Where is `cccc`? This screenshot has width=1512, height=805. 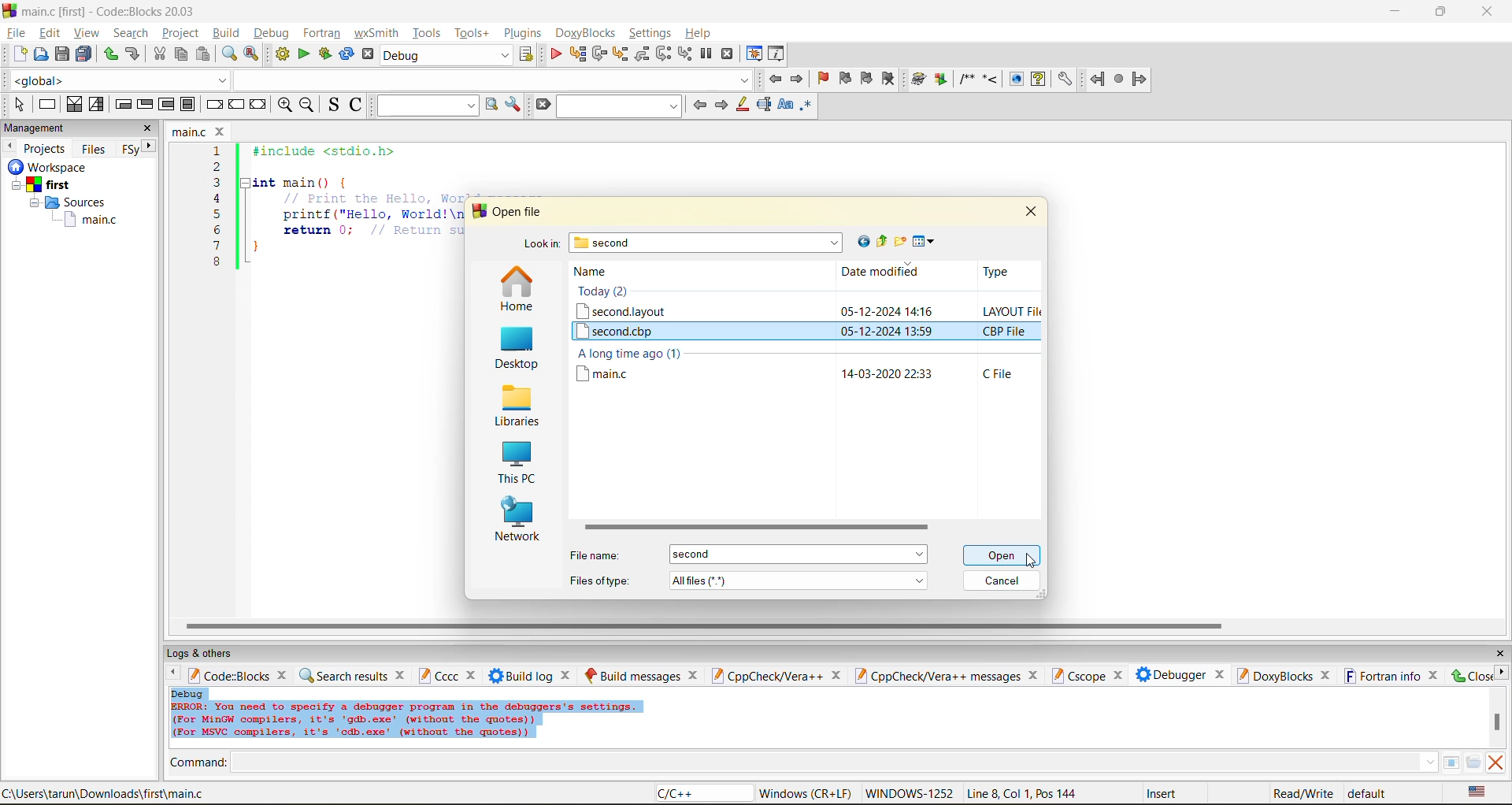 cccc is located at coordinates (438, 675).